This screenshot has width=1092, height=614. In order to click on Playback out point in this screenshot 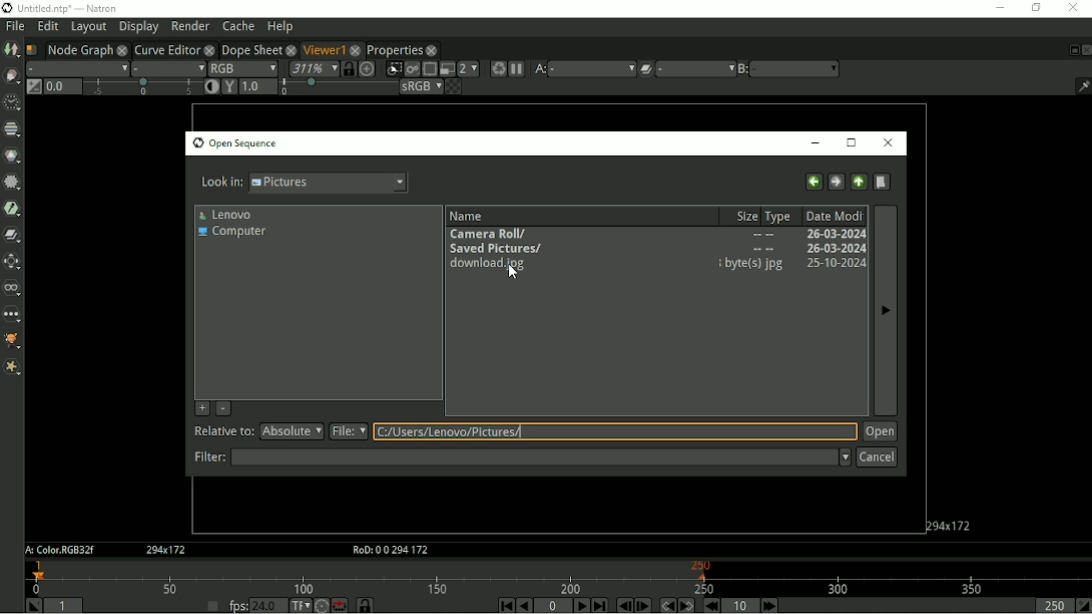, I will do `click(1050, 606)`.